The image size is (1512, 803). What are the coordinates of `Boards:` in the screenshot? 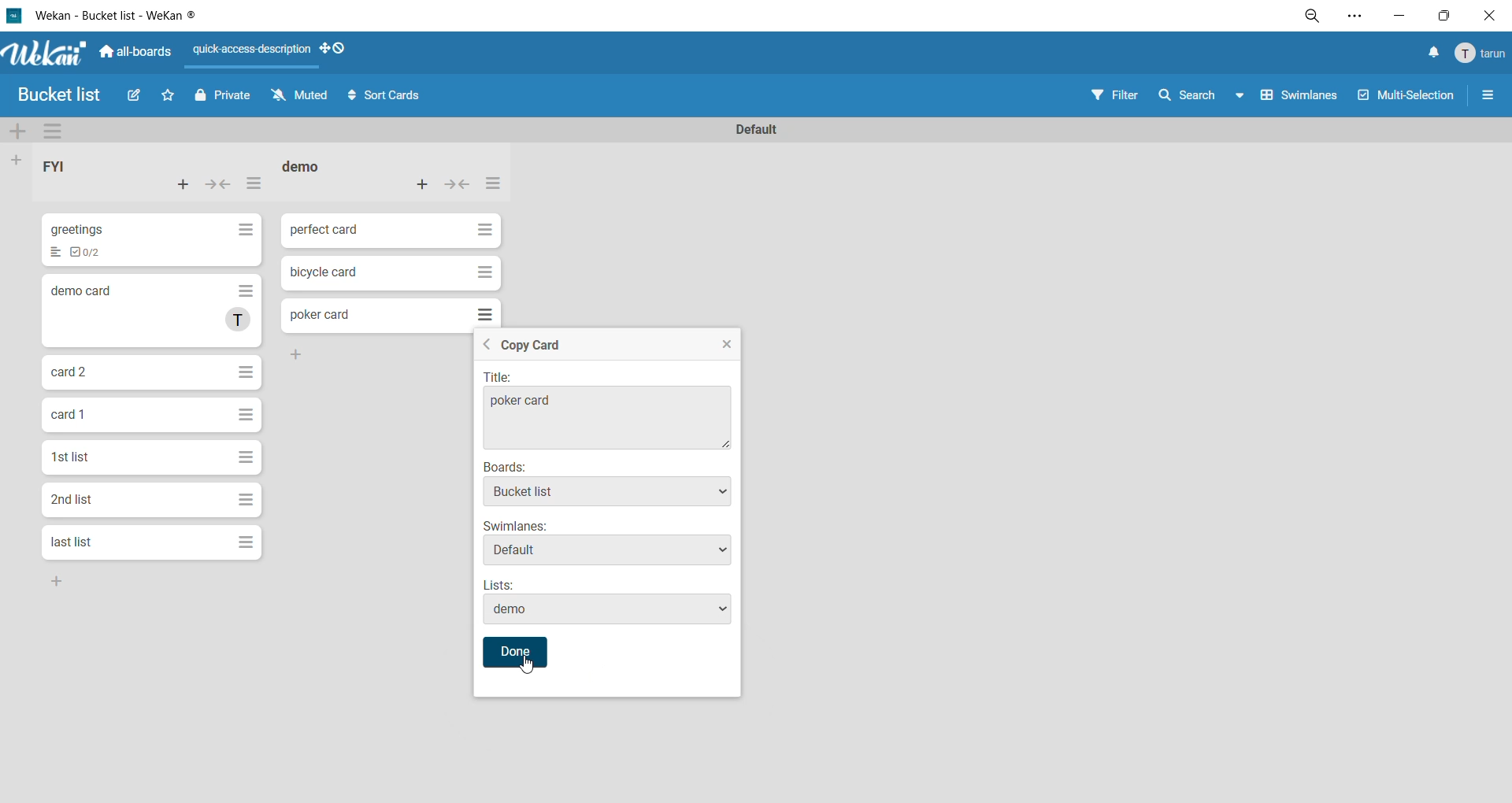 It's located at (511, 466).